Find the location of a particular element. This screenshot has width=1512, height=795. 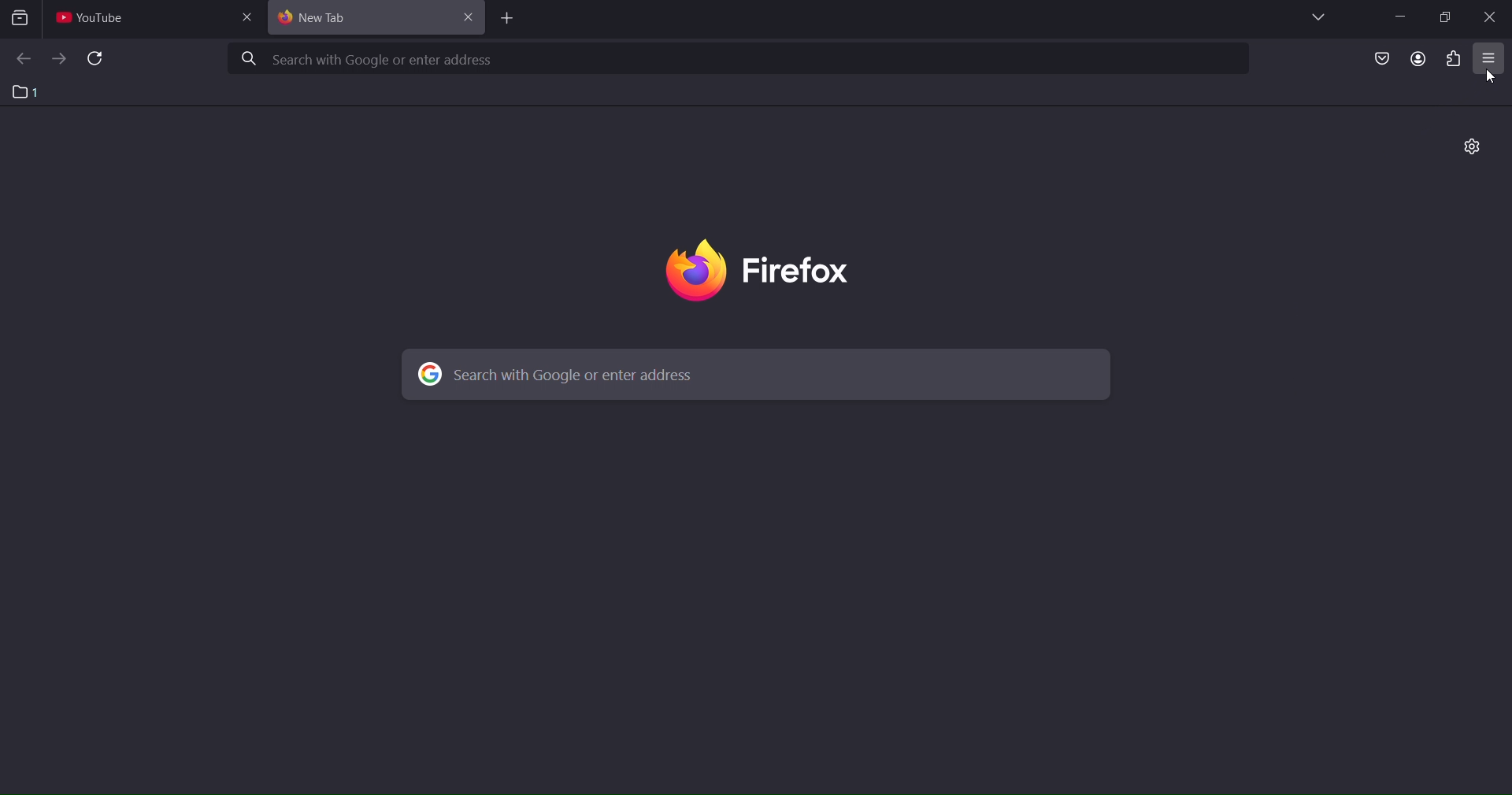

account is located at coordinates (1414, 58).